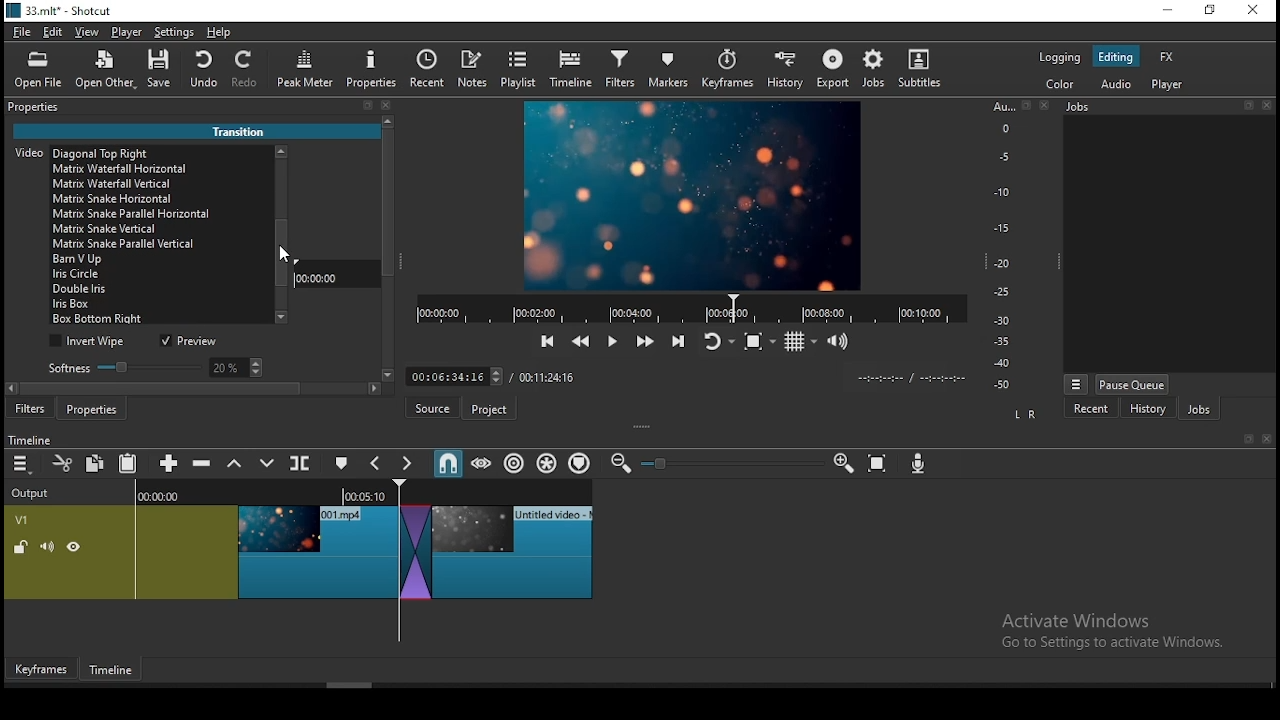 The width and height of the screenshot is (1280, 720). What do you see at coordinates (1247, 440) in the screenshot?
I see `` at bounding box center [1247, 440].